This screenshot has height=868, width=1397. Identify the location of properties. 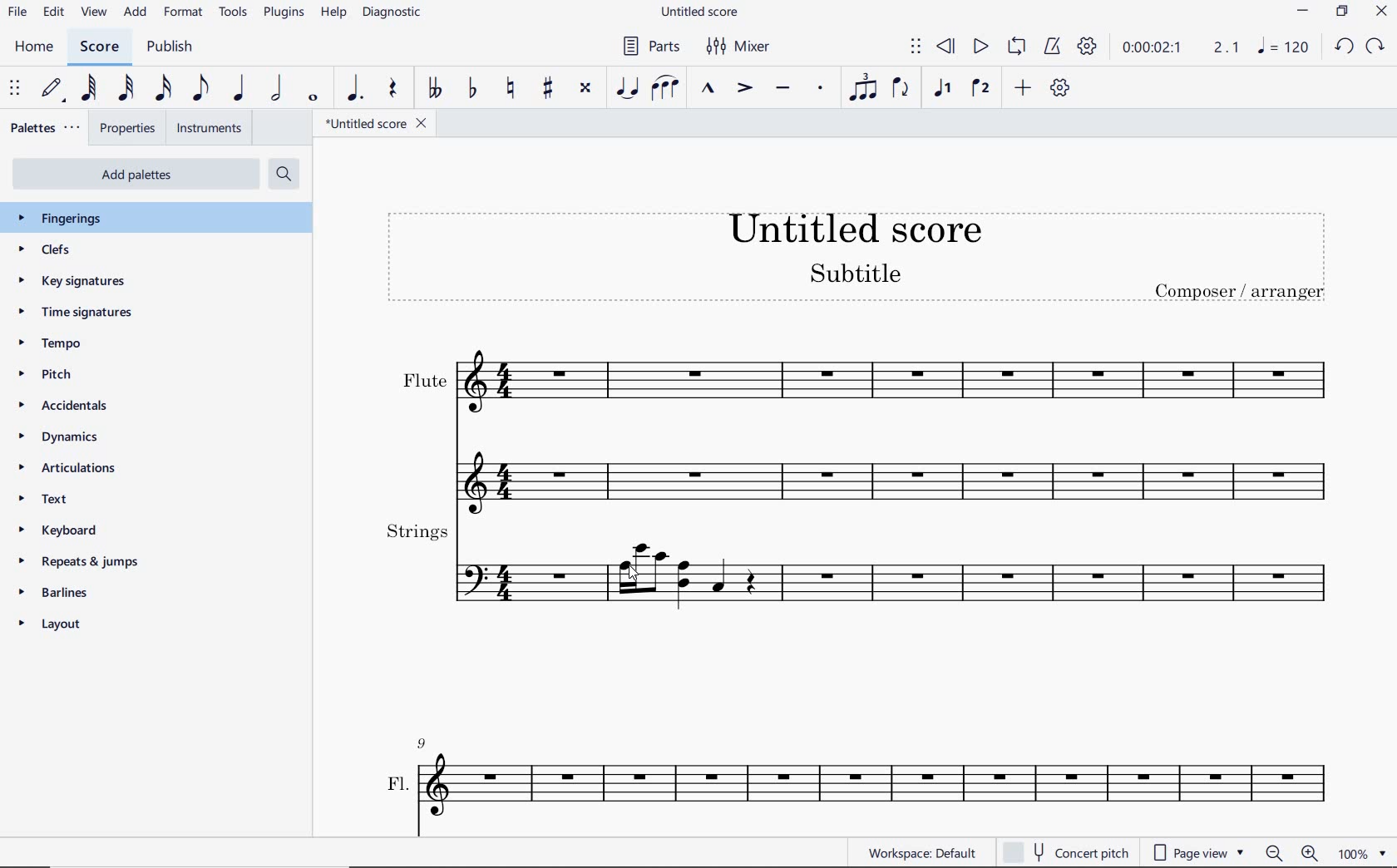
(128, 128).